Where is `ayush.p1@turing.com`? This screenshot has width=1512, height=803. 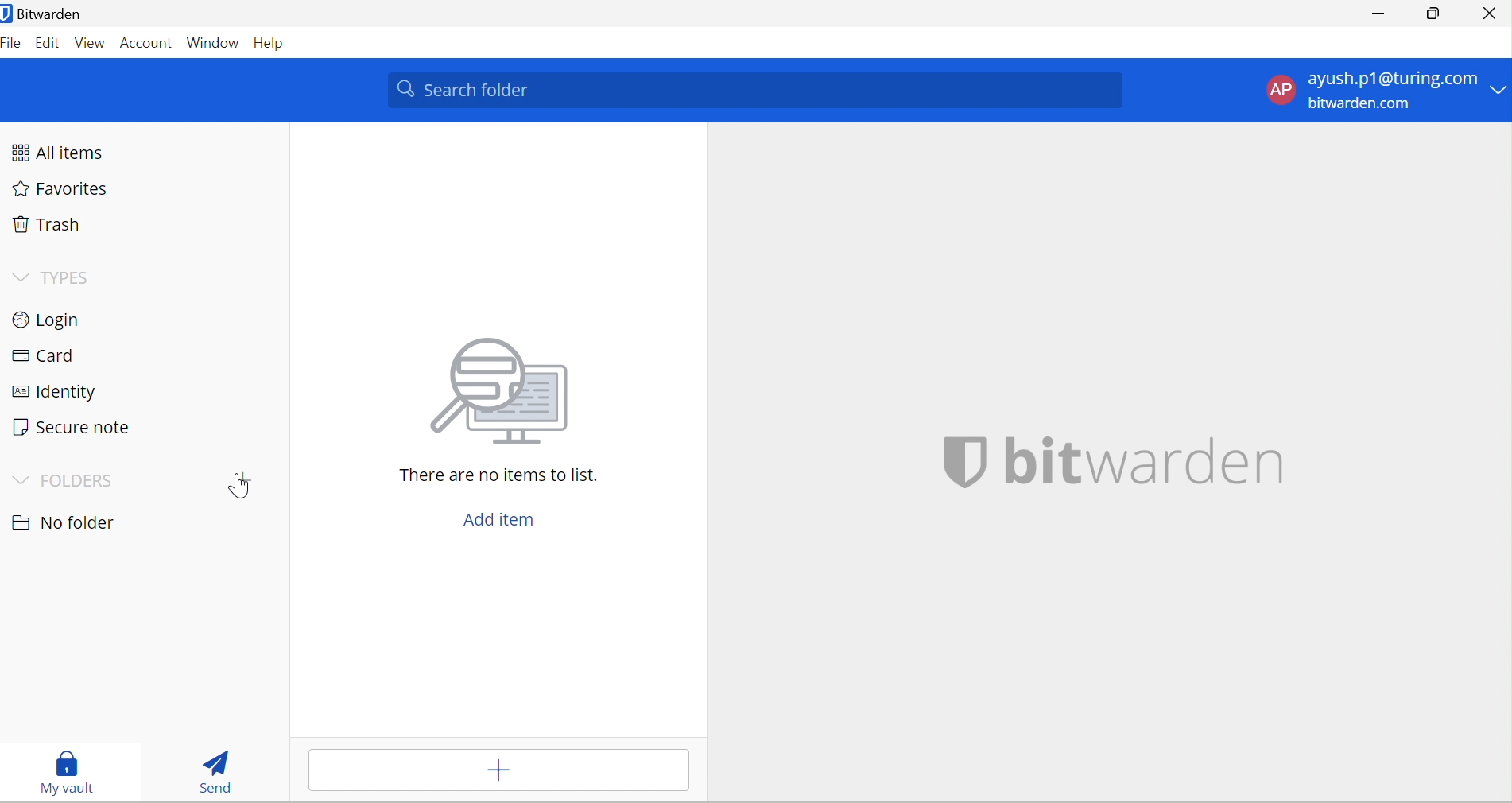
ayush.p1@turing.com is located at coordinates (1391, 78).